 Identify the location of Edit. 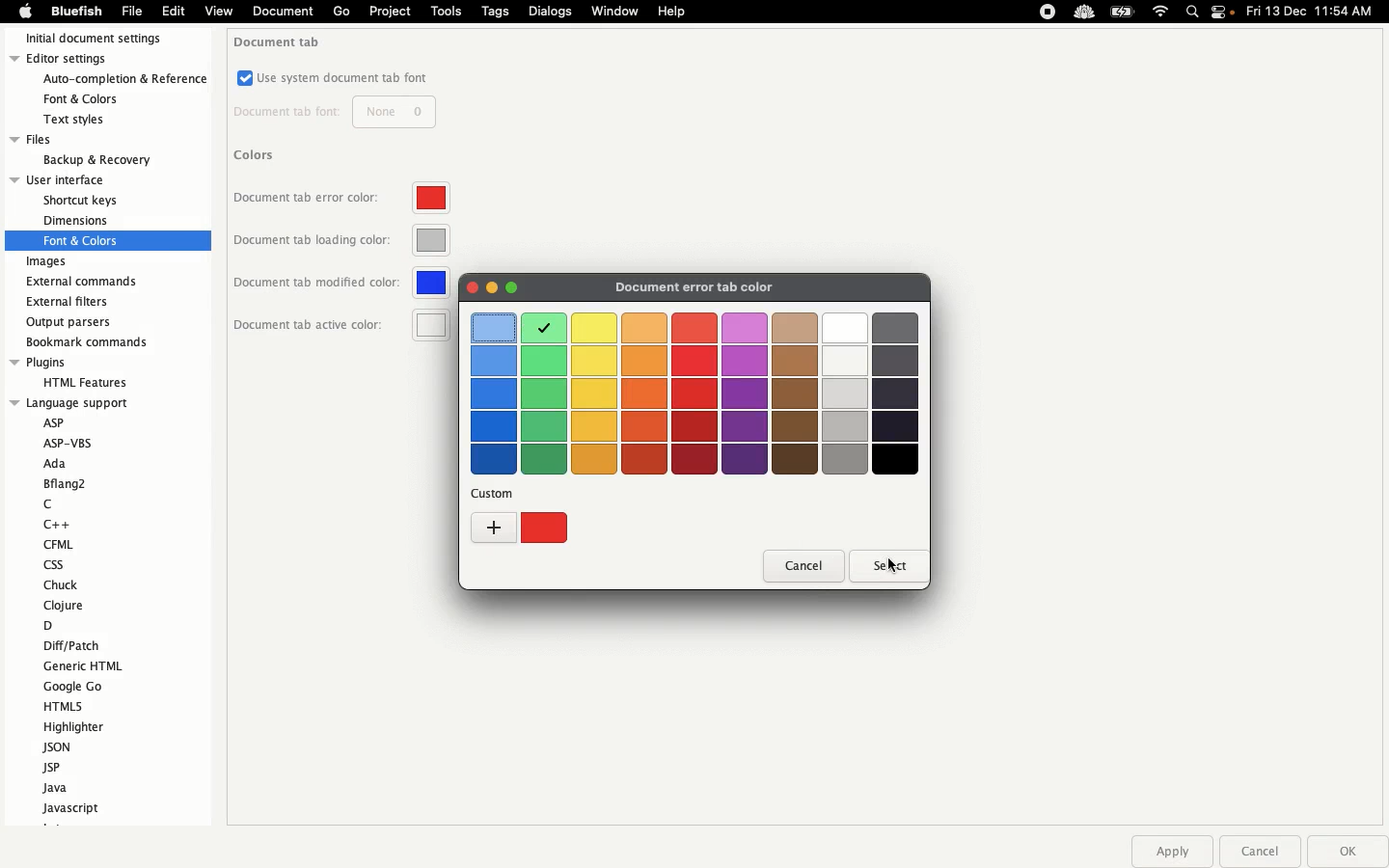
(174, 11).